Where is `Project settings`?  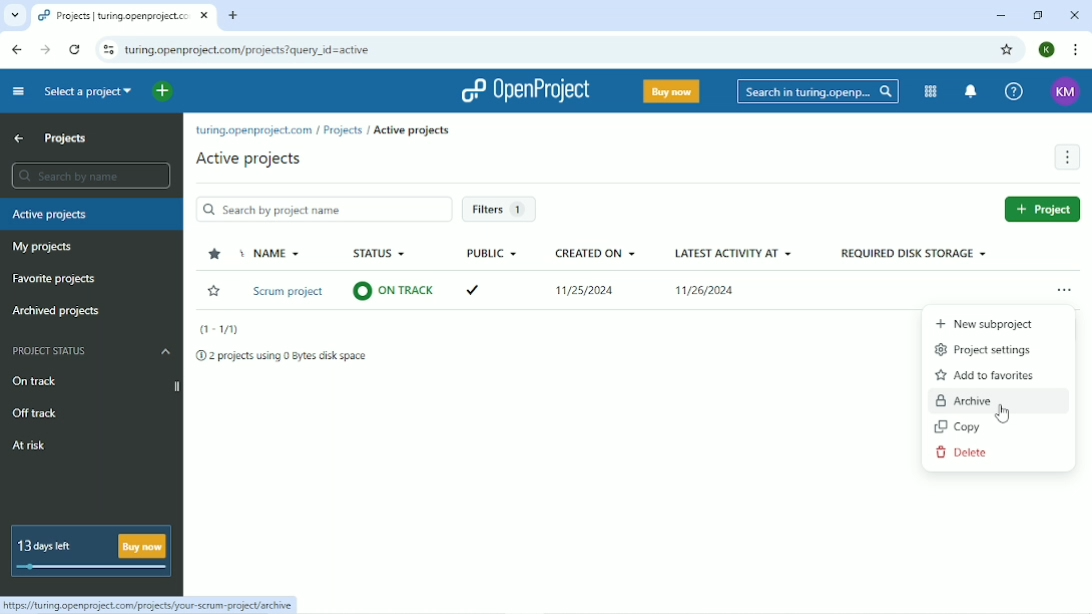 Project settings is located at coordinates (985, 349).